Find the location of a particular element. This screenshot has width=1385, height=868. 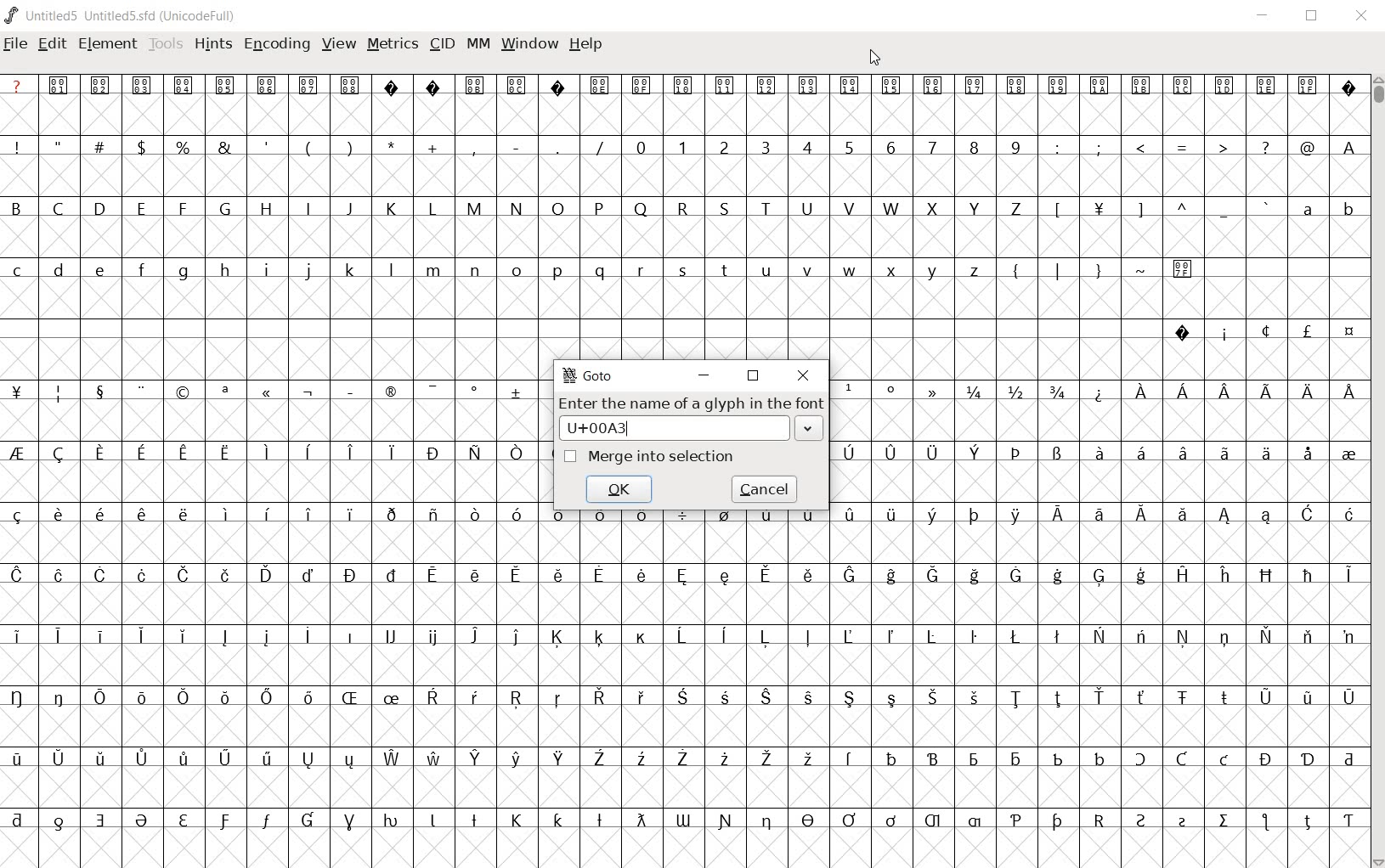

* is located at coordinates (393, 145).